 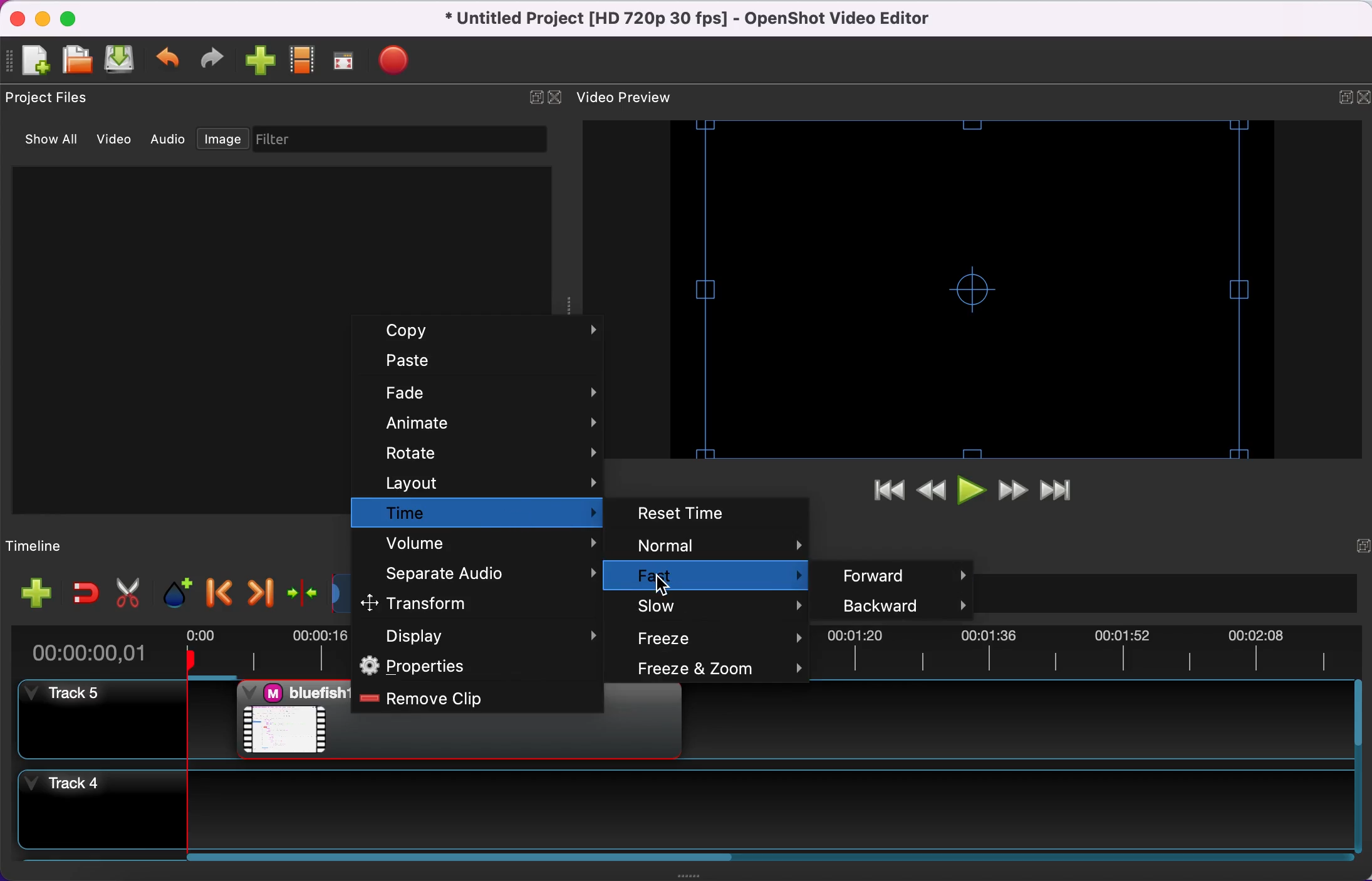 I want to click on audio, so click(x=169, y=142).